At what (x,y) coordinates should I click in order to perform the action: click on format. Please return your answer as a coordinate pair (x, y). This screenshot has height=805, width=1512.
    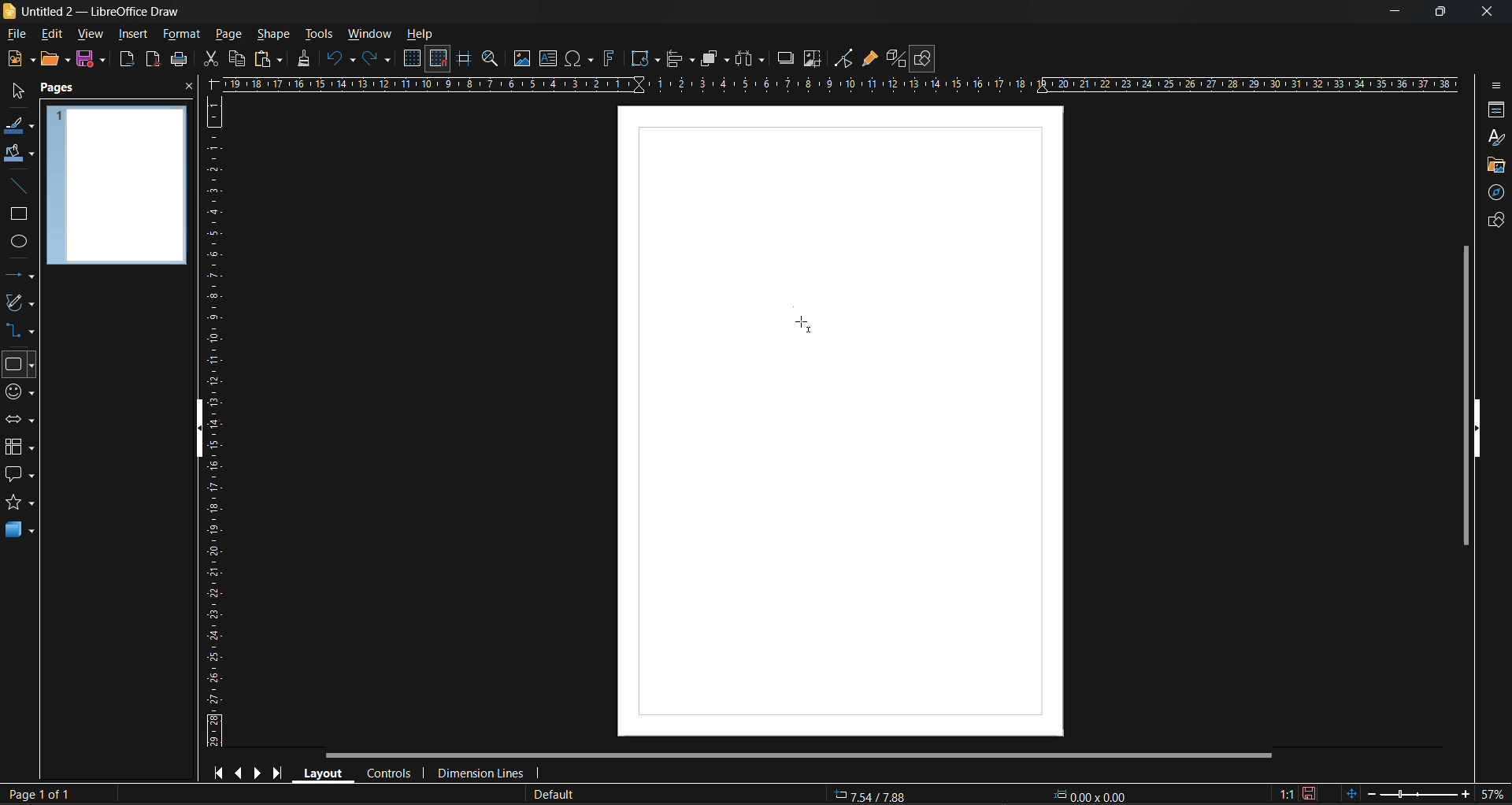
    Looking at the image, I should click on (180, 35).